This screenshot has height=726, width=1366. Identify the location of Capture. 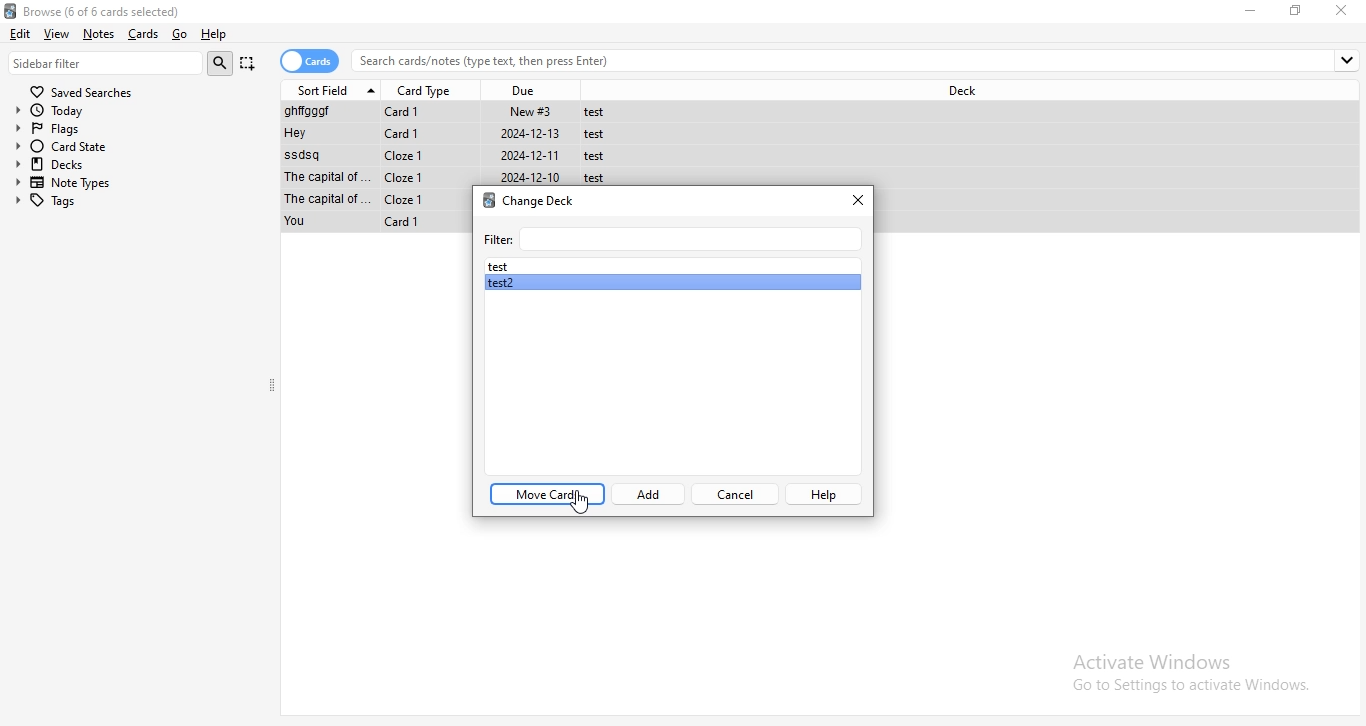
(248, 63).